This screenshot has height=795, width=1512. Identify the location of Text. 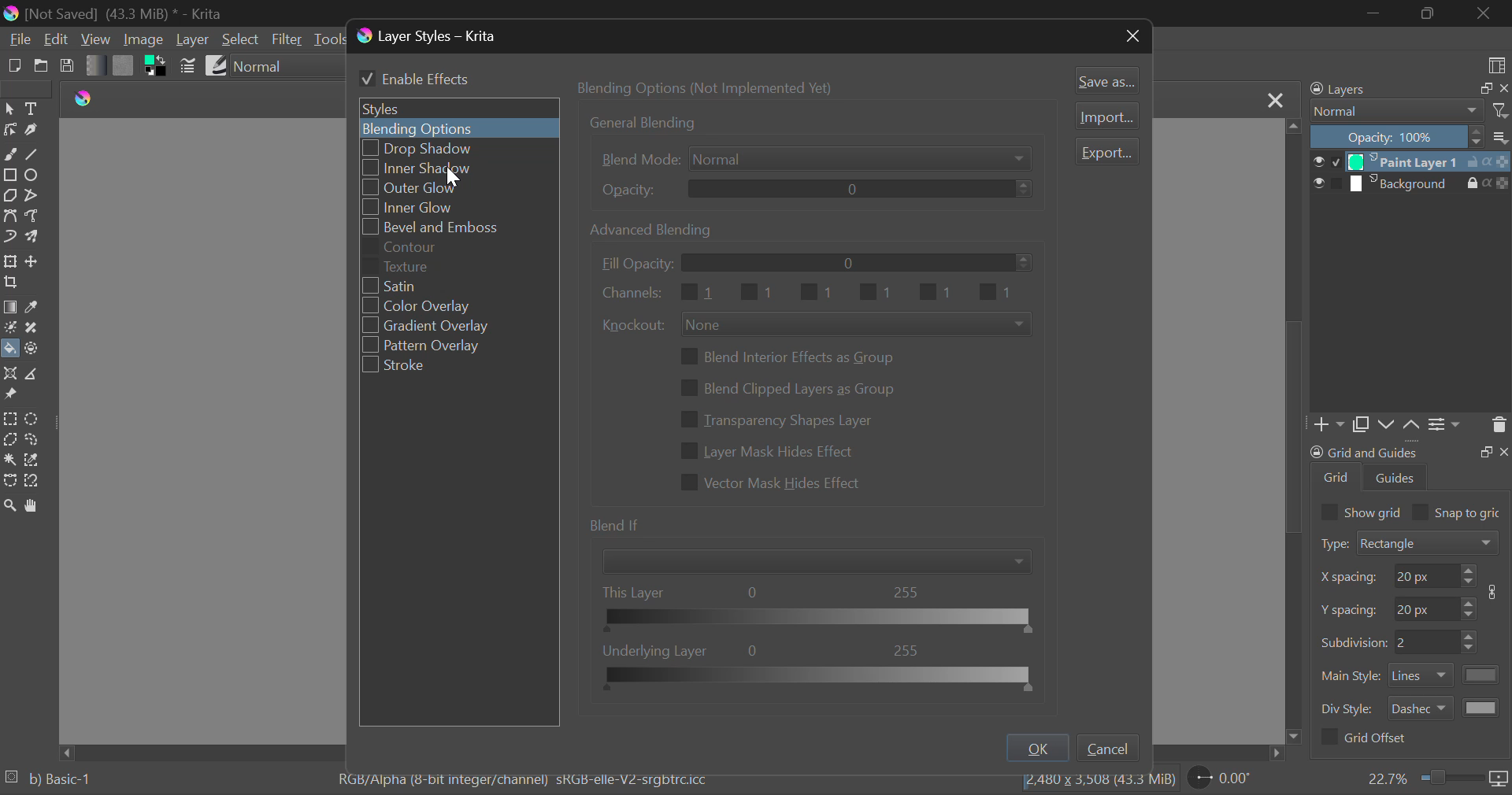
(31, 109).